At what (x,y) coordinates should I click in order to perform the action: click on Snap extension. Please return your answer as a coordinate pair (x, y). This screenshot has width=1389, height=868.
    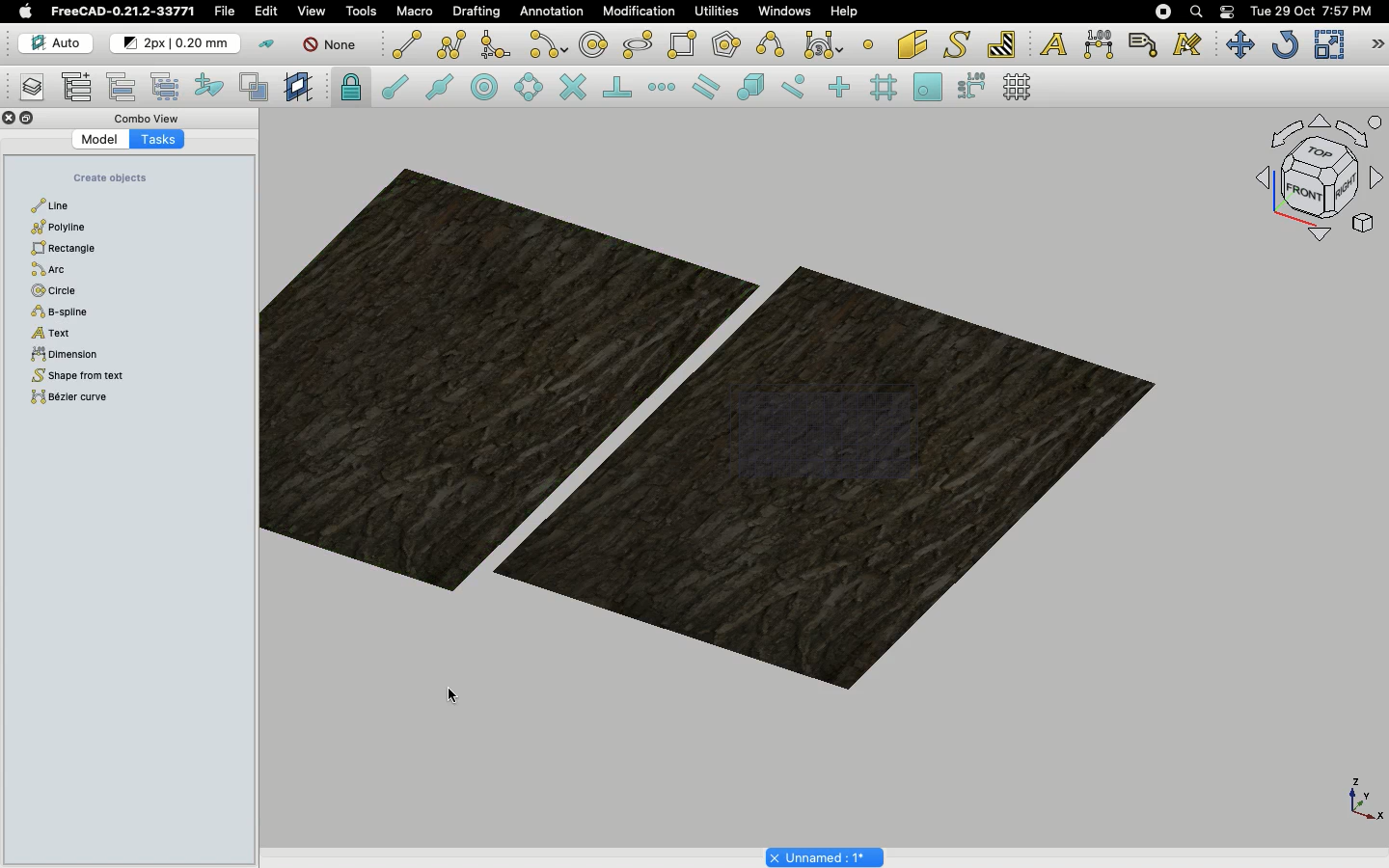
    Looking at the image, I should click on (664, 88).